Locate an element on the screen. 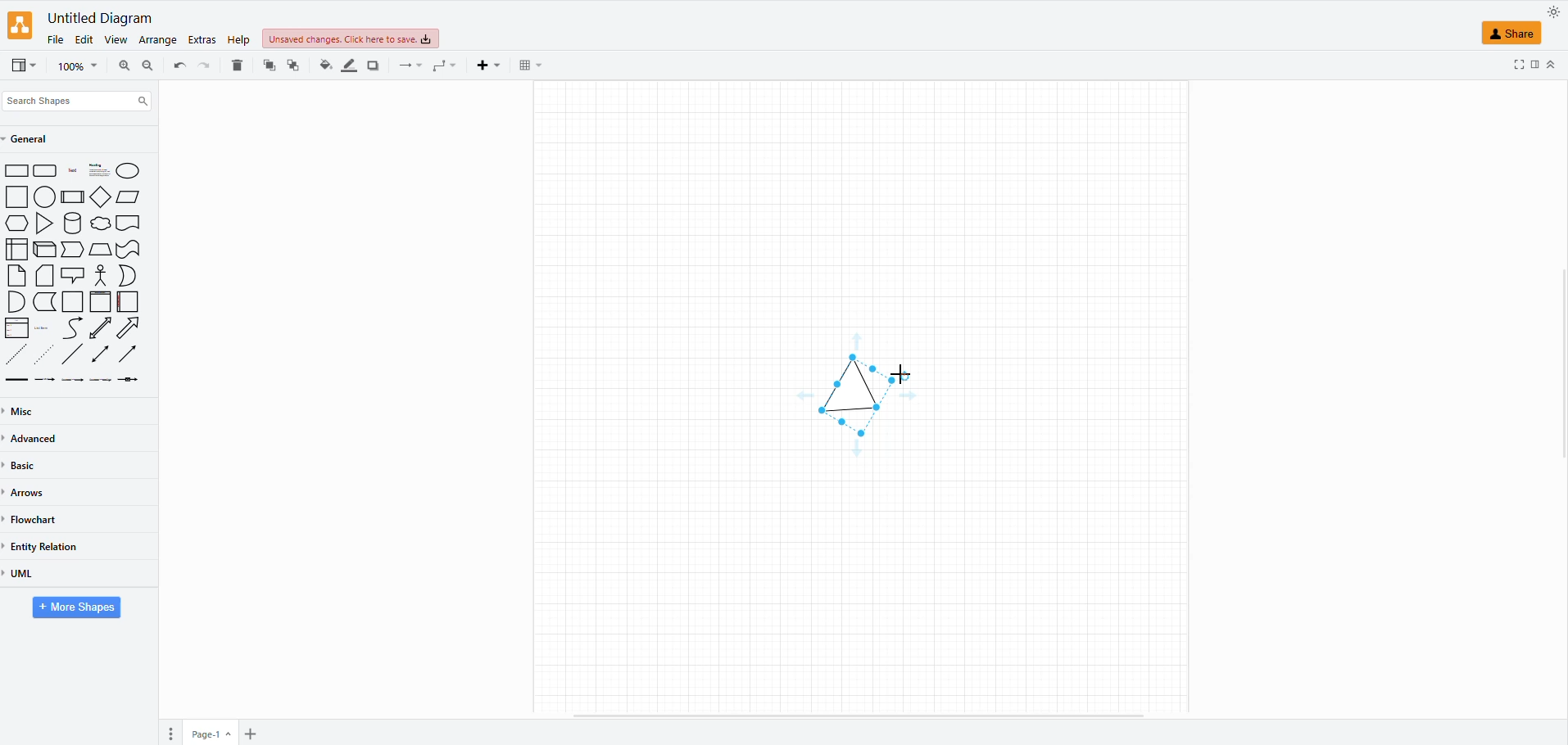  Chat Bubble is located at coordinates (101, 223).